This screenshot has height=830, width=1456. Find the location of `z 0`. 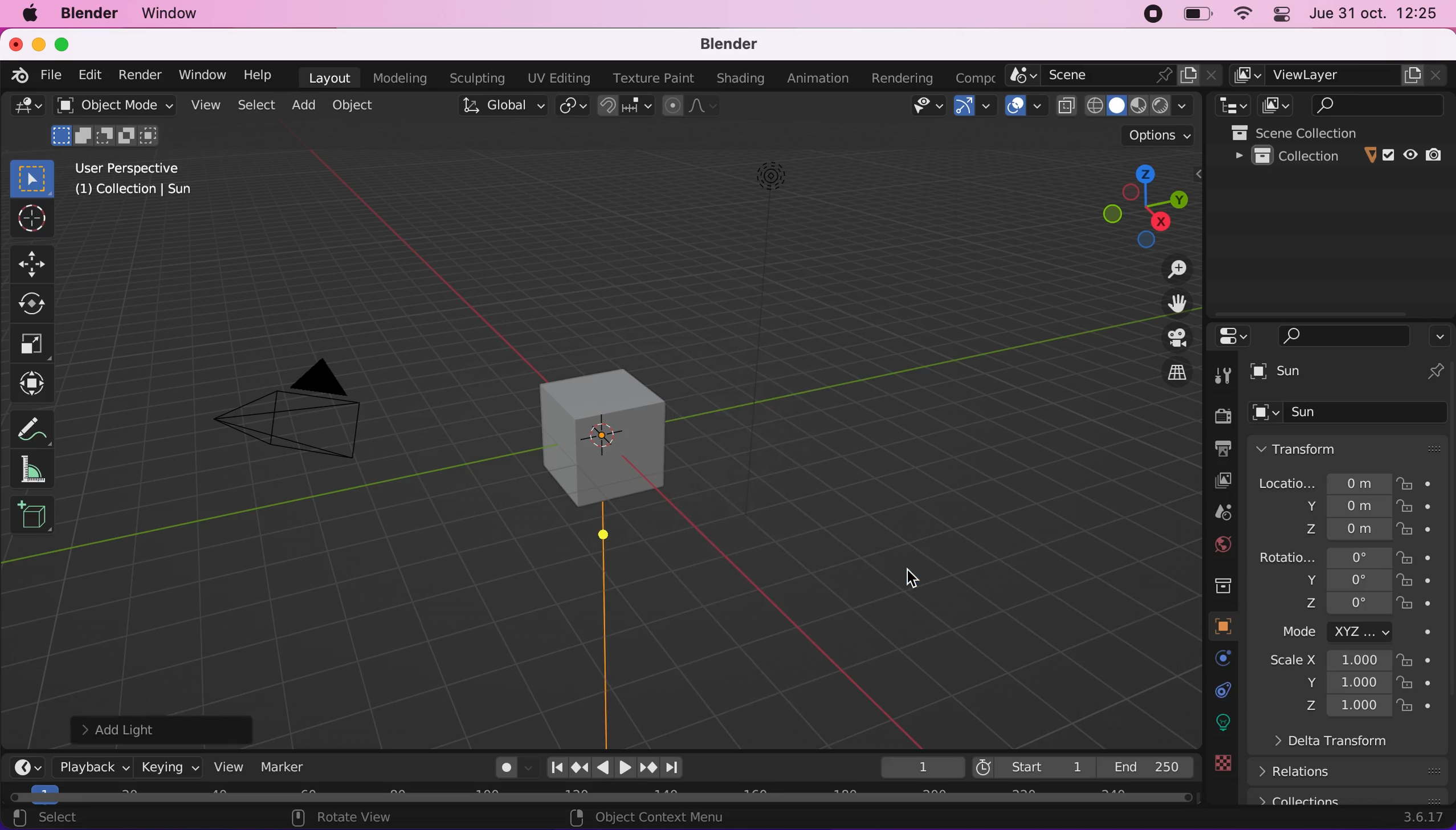

z 0 is located at coordinates (1343, 605).